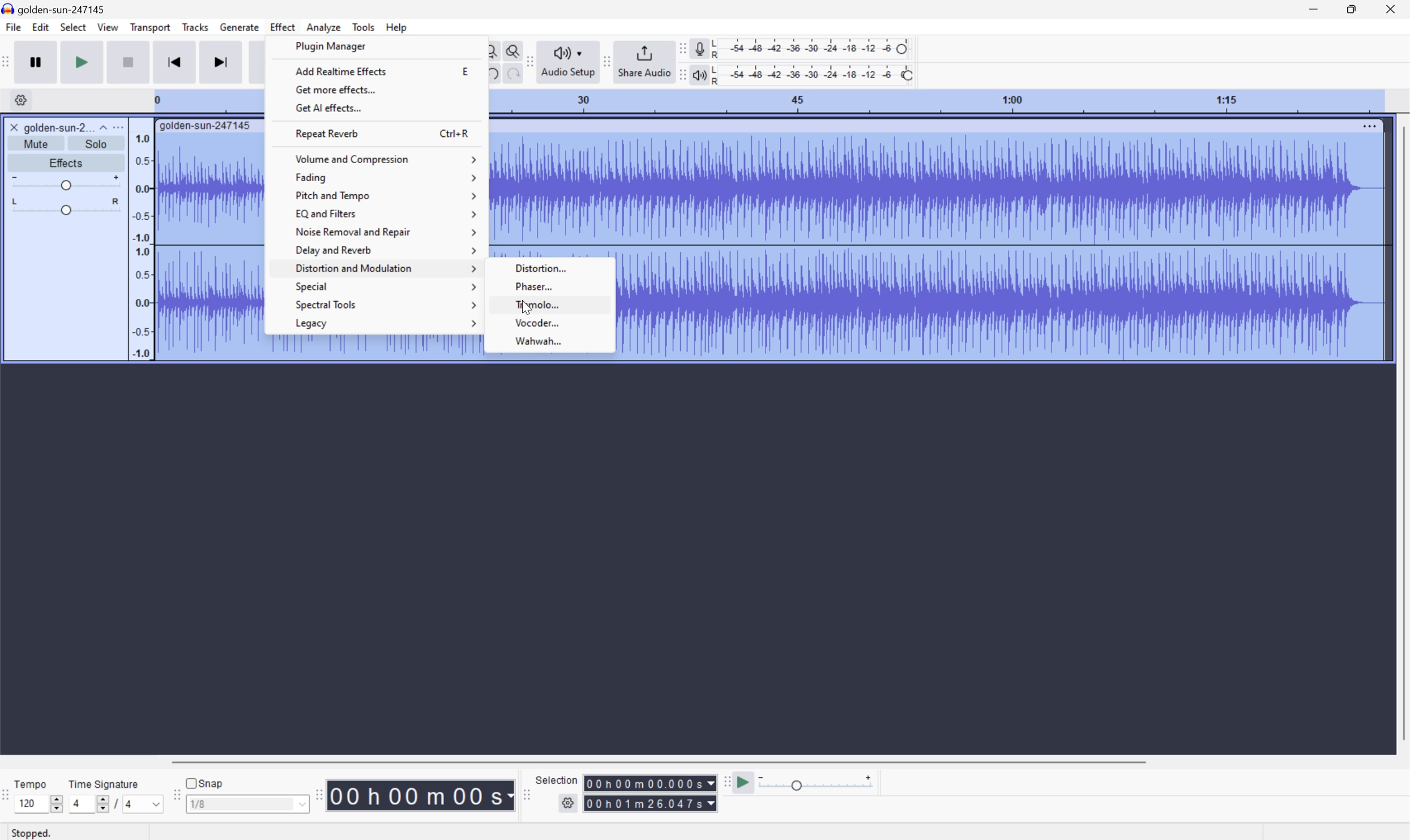  I want to click on Audacity playback meter toolbar, so click(682, 74).